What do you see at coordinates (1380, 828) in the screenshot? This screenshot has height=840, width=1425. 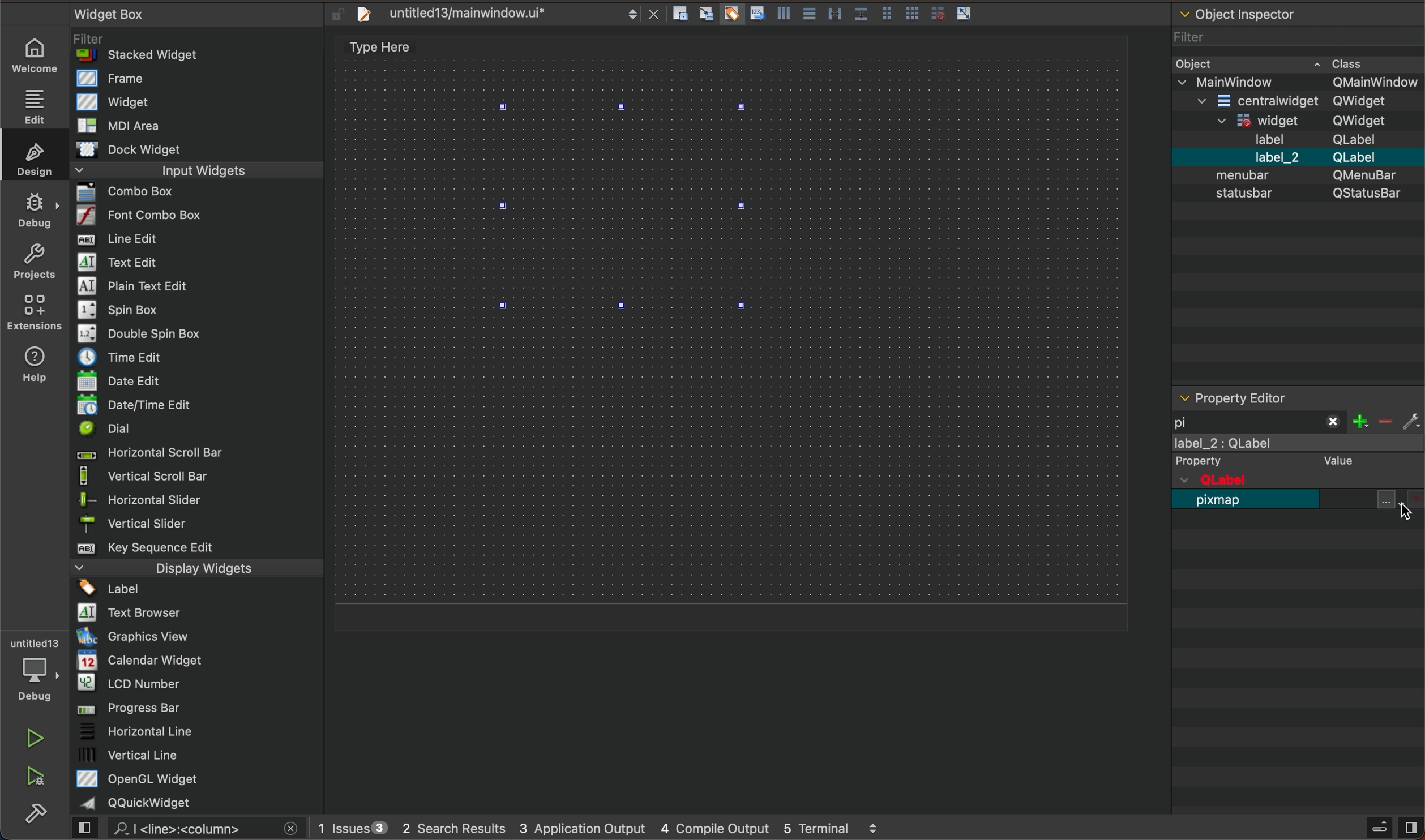 I see `` at bounding box center [1380, 828].